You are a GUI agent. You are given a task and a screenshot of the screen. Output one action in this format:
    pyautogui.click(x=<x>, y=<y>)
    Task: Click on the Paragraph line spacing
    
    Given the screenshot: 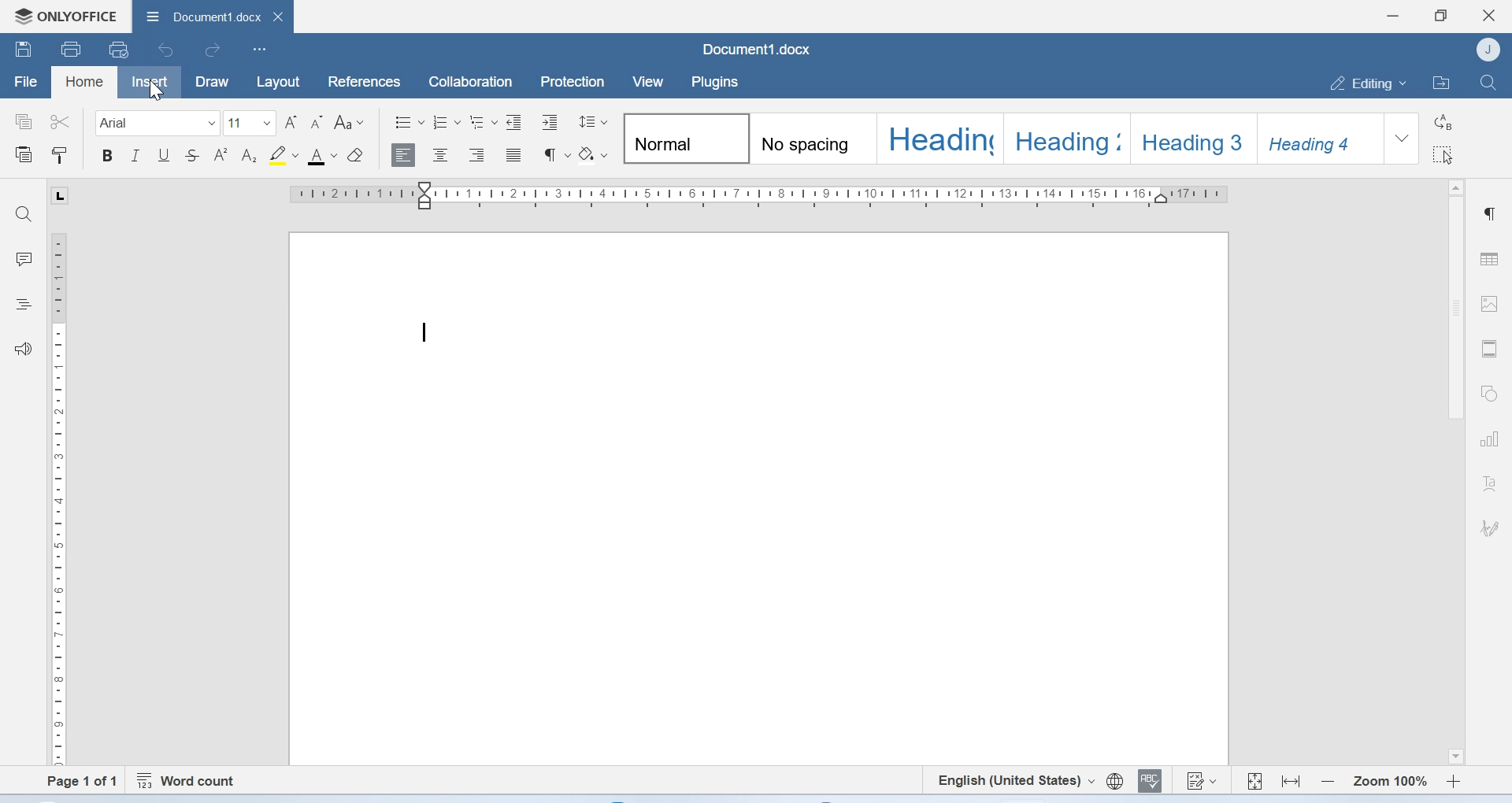 What is the action you would take?
    pyautogui.click(x=595, y=121)
    